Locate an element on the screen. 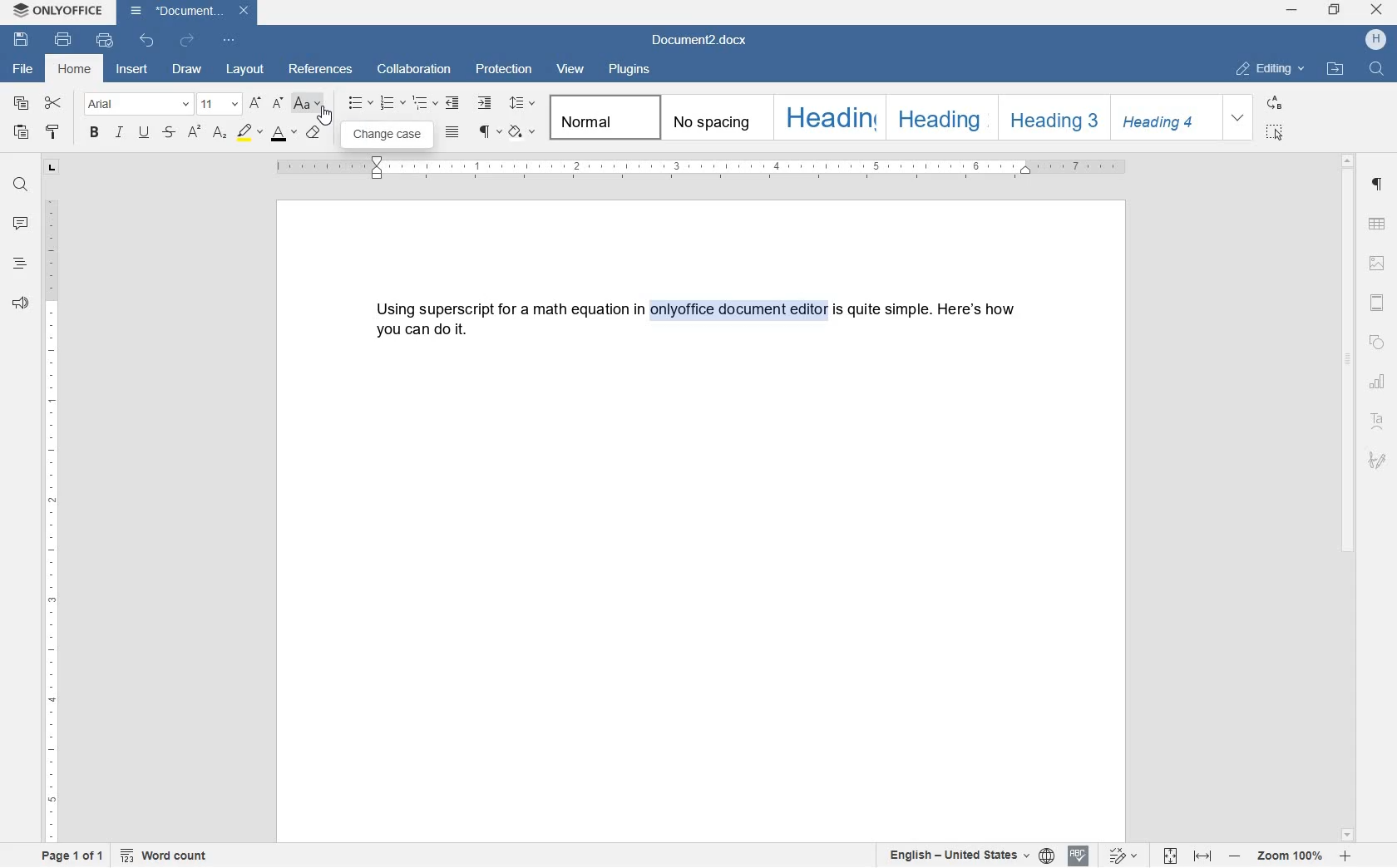  references is located at coordinates (321, 71).